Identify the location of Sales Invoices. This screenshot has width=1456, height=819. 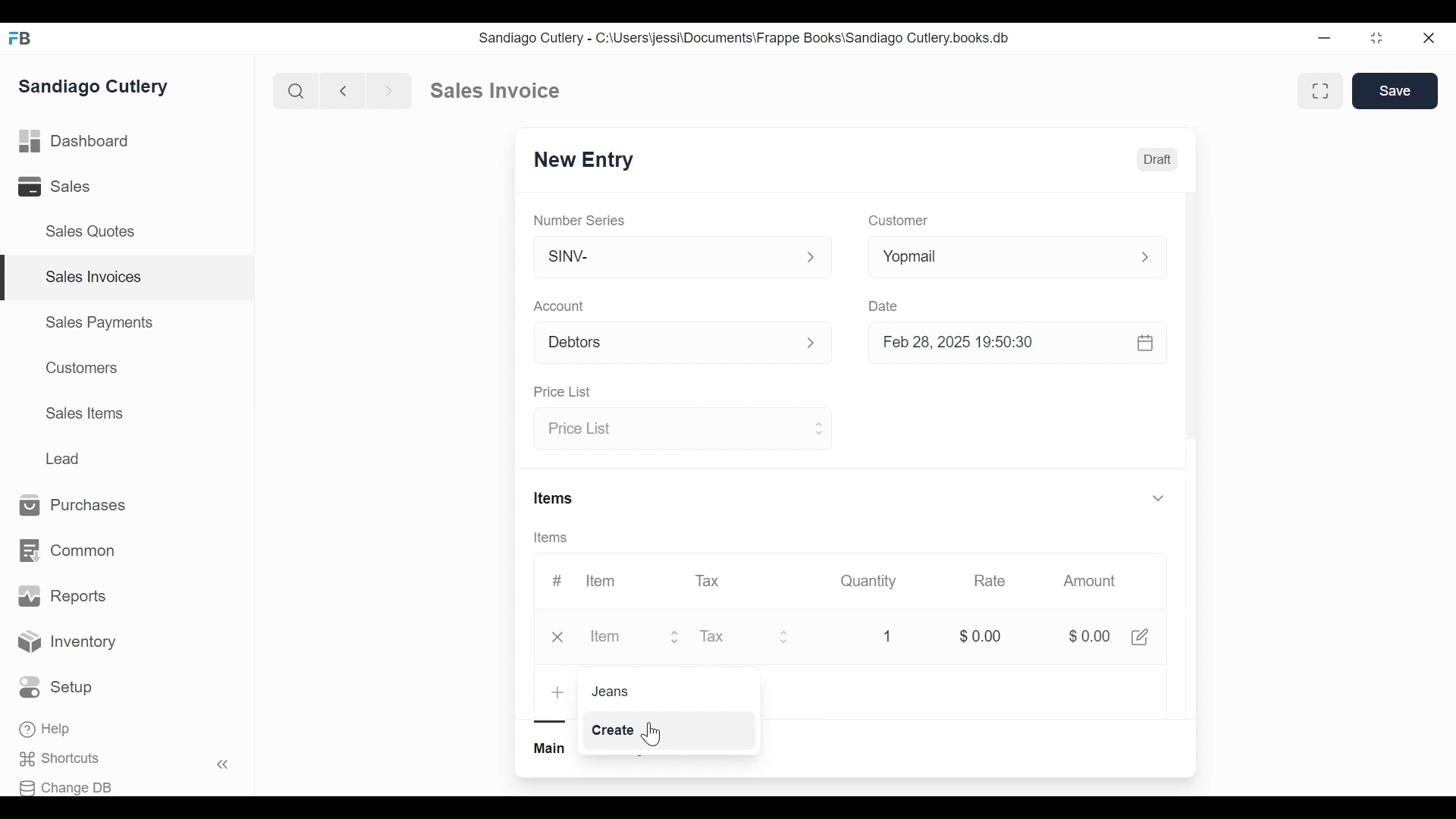
(94, 278).